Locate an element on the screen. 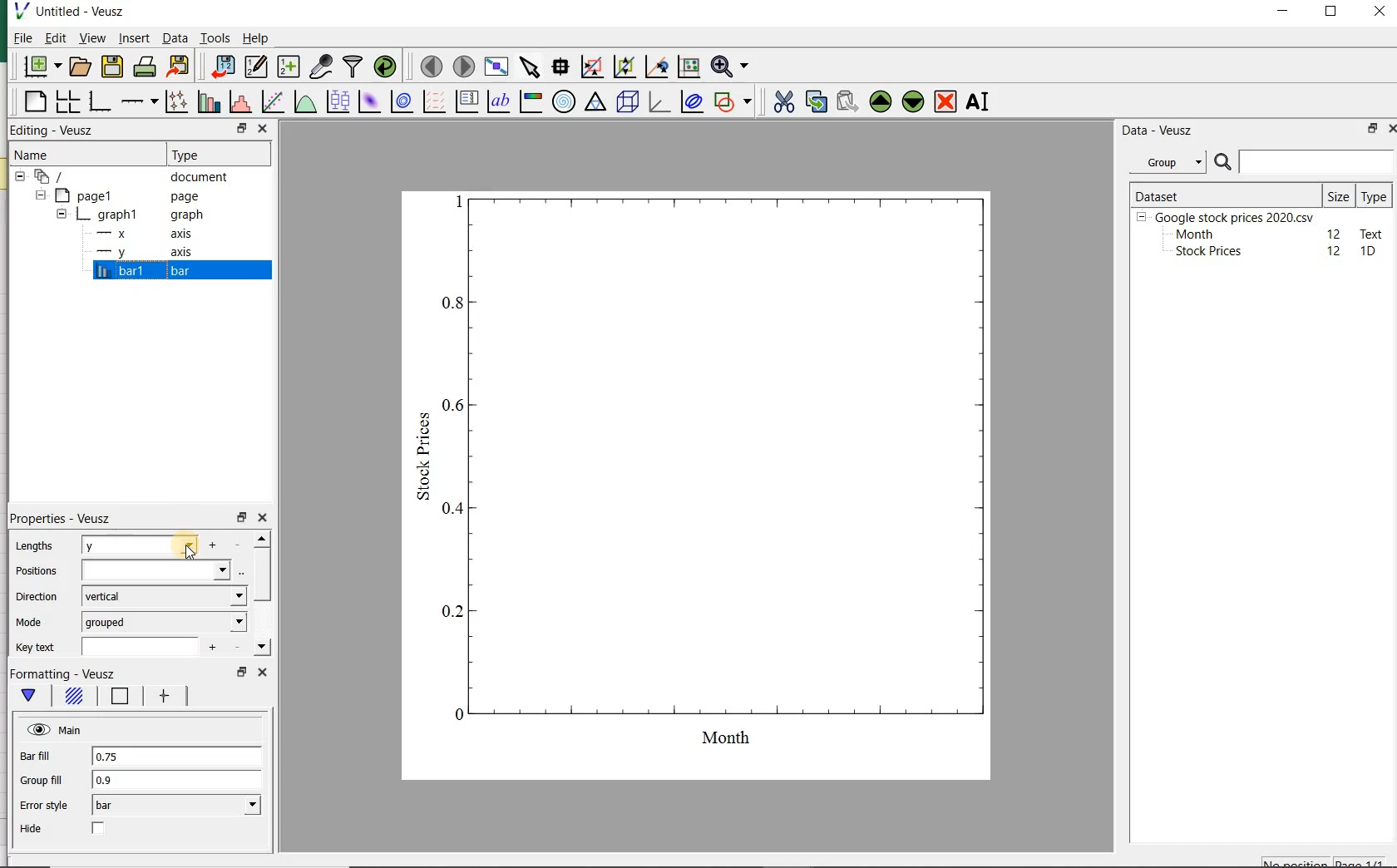 This screenshot has height=868, width=1397. close is located at coordinates (263, 674).